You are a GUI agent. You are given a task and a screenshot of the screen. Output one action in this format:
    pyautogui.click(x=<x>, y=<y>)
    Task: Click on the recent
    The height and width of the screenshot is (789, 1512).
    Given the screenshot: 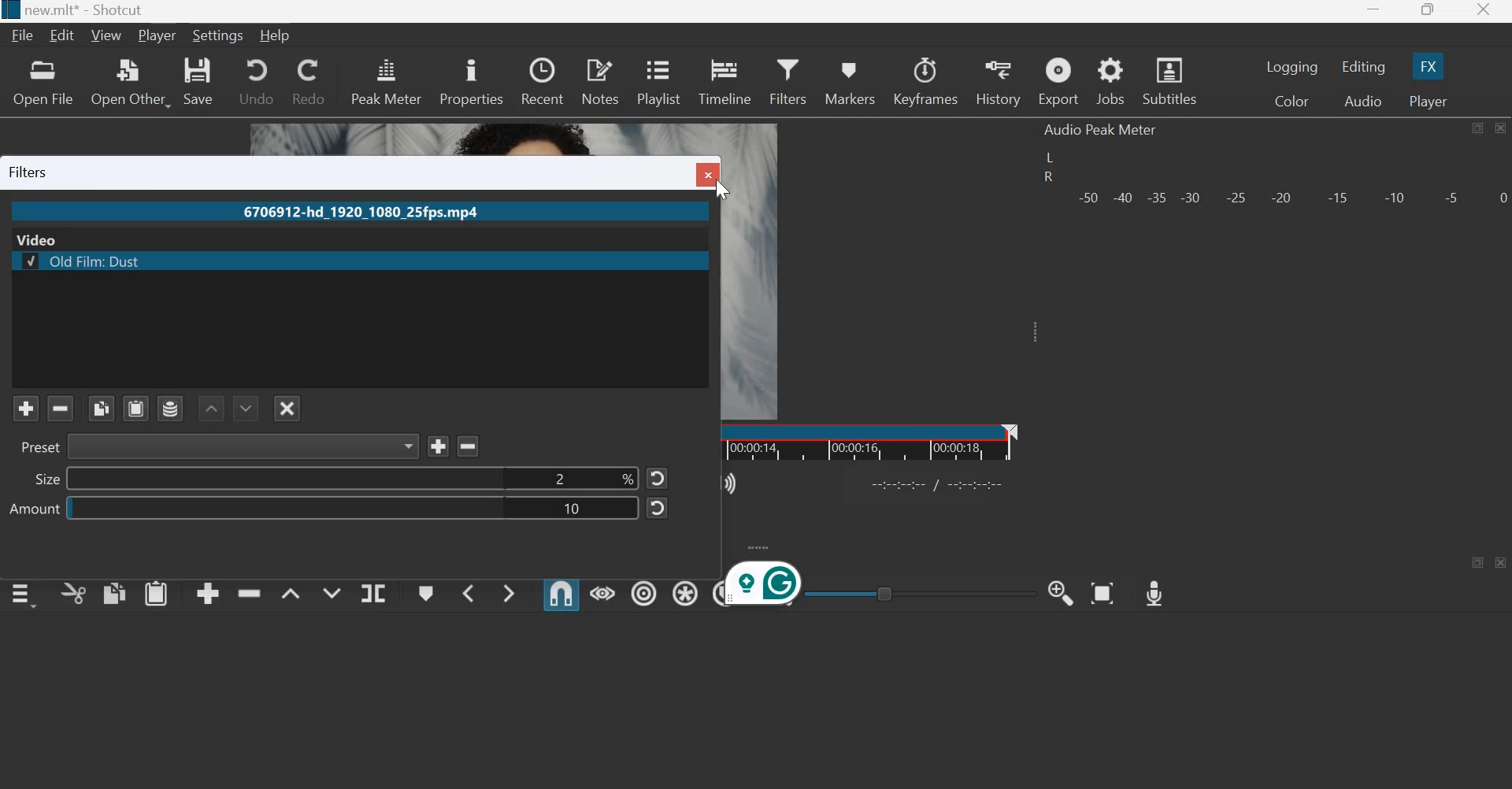 What is the action you would take?
    pyautogui.click(x=542, y=79)
    